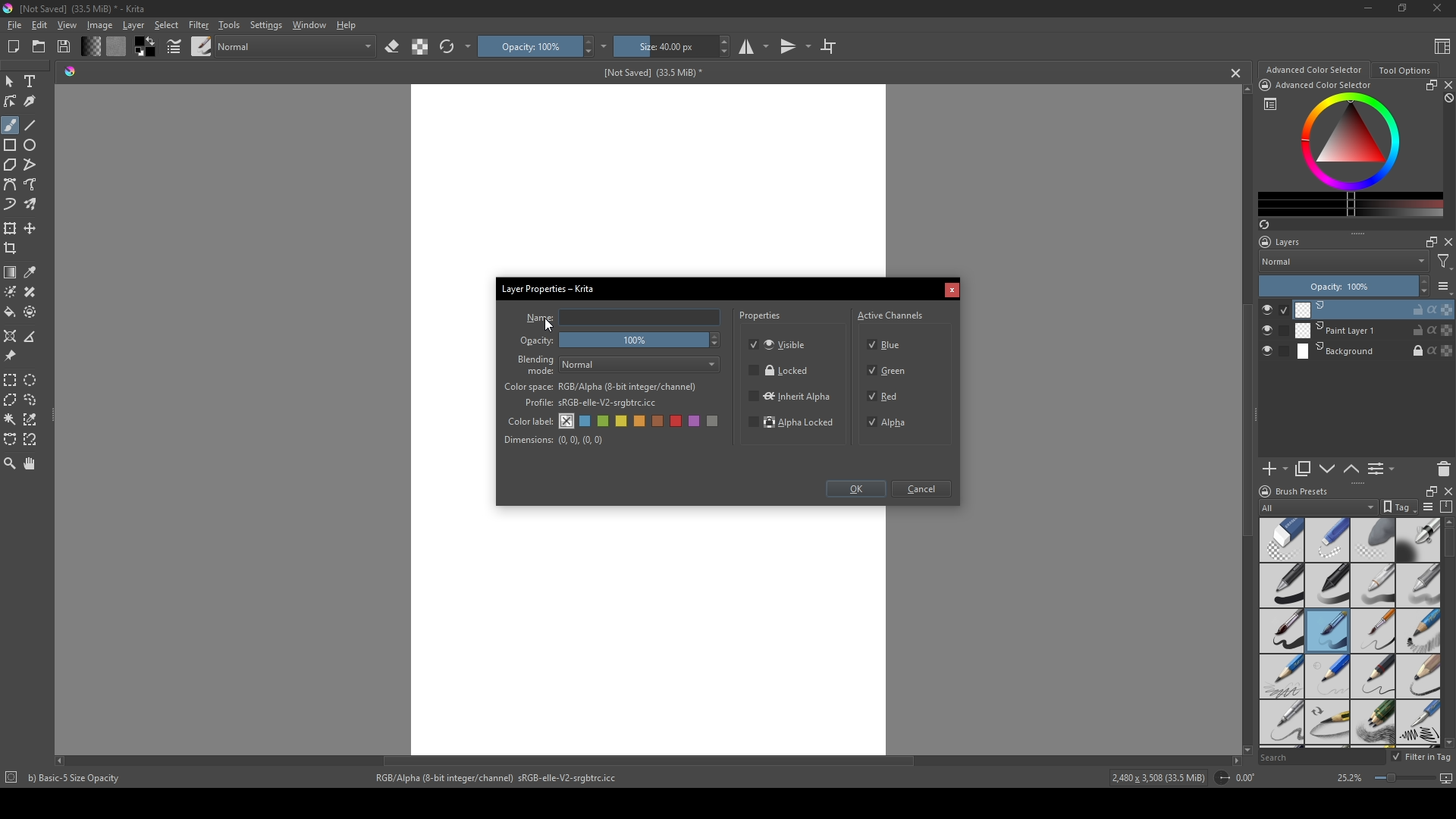 This screenshot has width=1456, height=819. Describe the element at coordinates (32, 101) in the screenshot. I see `calligraphy` at that location.